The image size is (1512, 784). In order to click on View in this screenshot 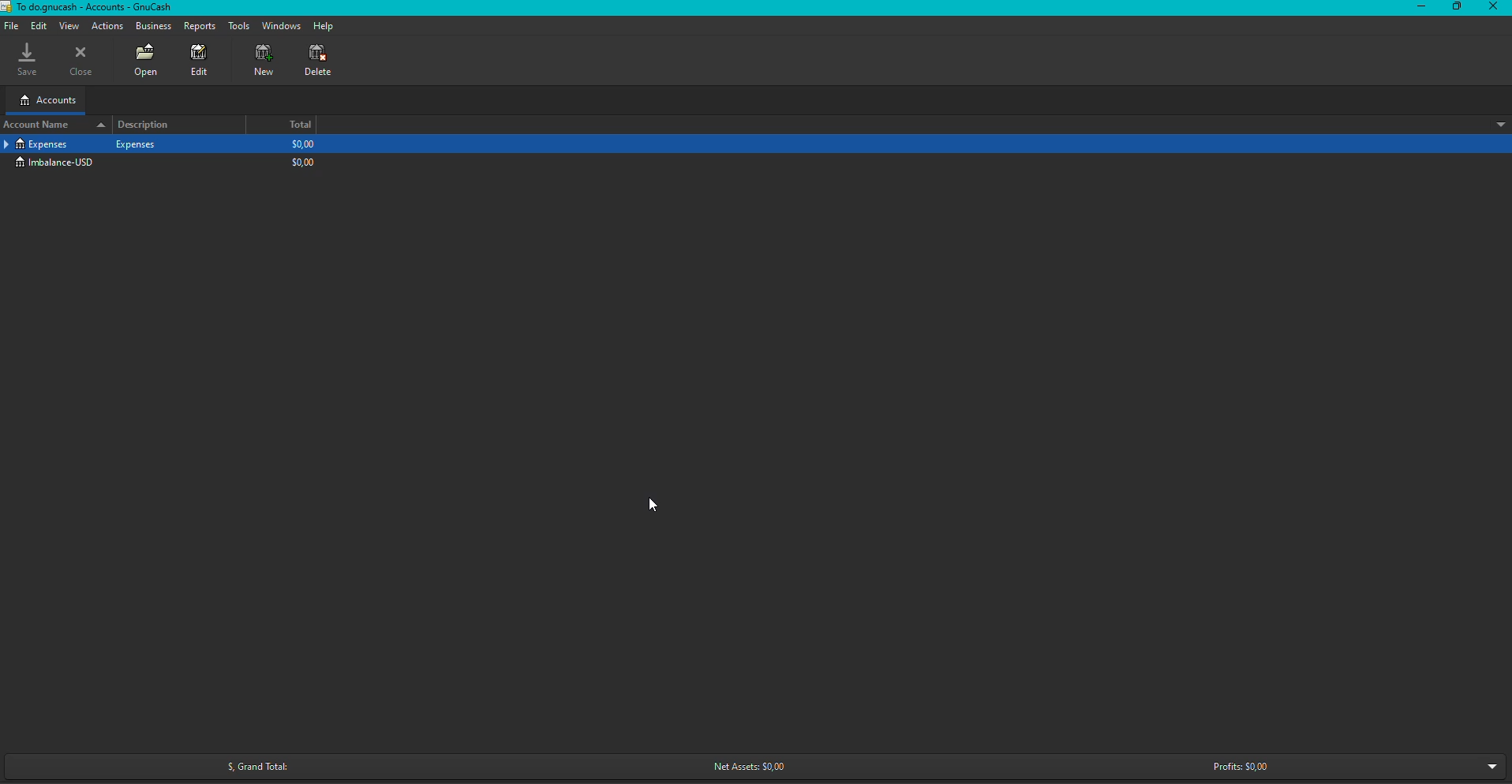, I will do `click(69, 25)`.